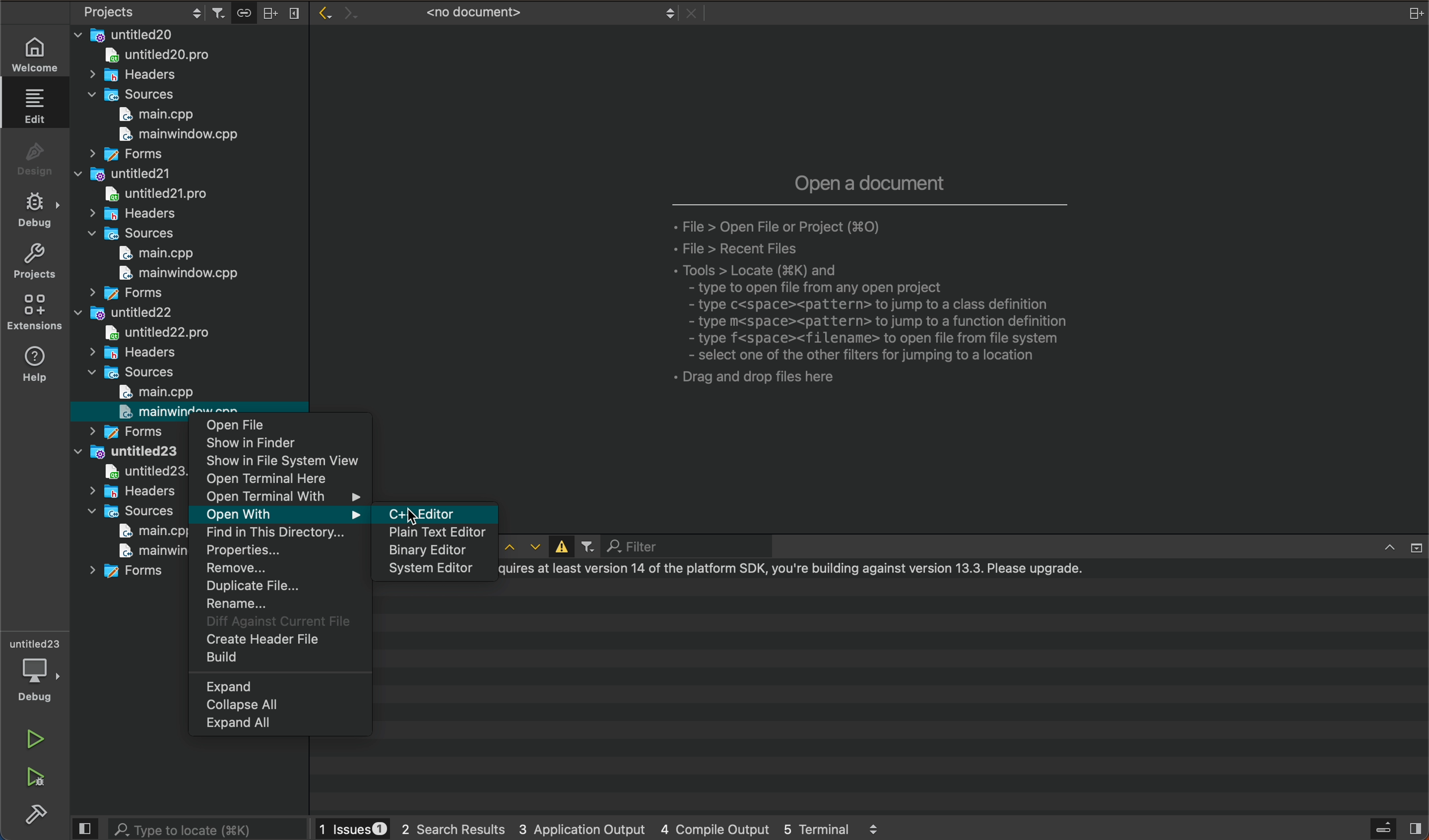 The width and height of the screenshot is (1429, 840). What do you see at coordinates (281, 686) in the screenshot?
I see `expand` at bounding box center [281, 686].